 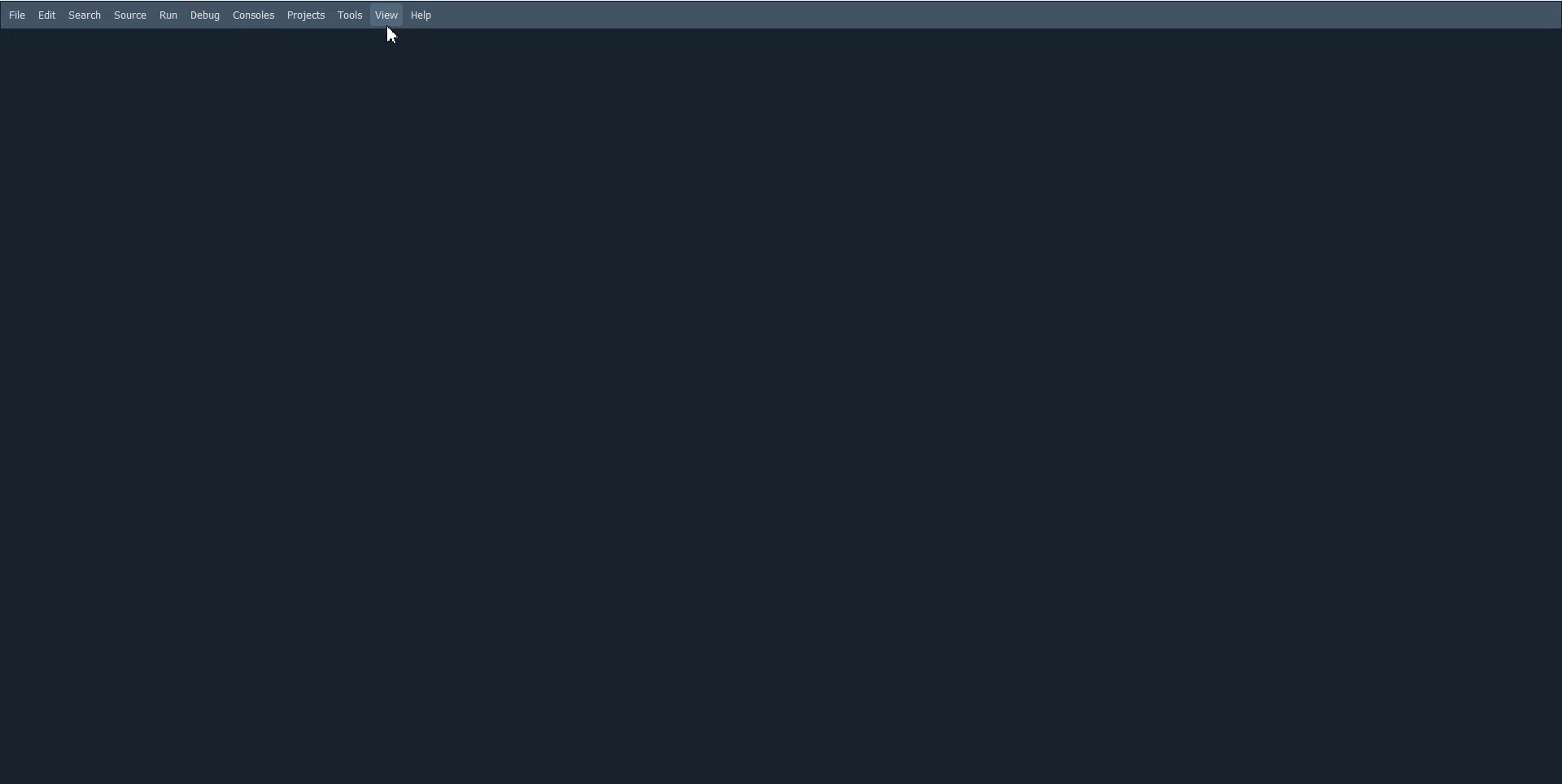 What do you see at coordinates (47, 15) in the screenshot?
I see `Edit` at bounding box center [47, 15].